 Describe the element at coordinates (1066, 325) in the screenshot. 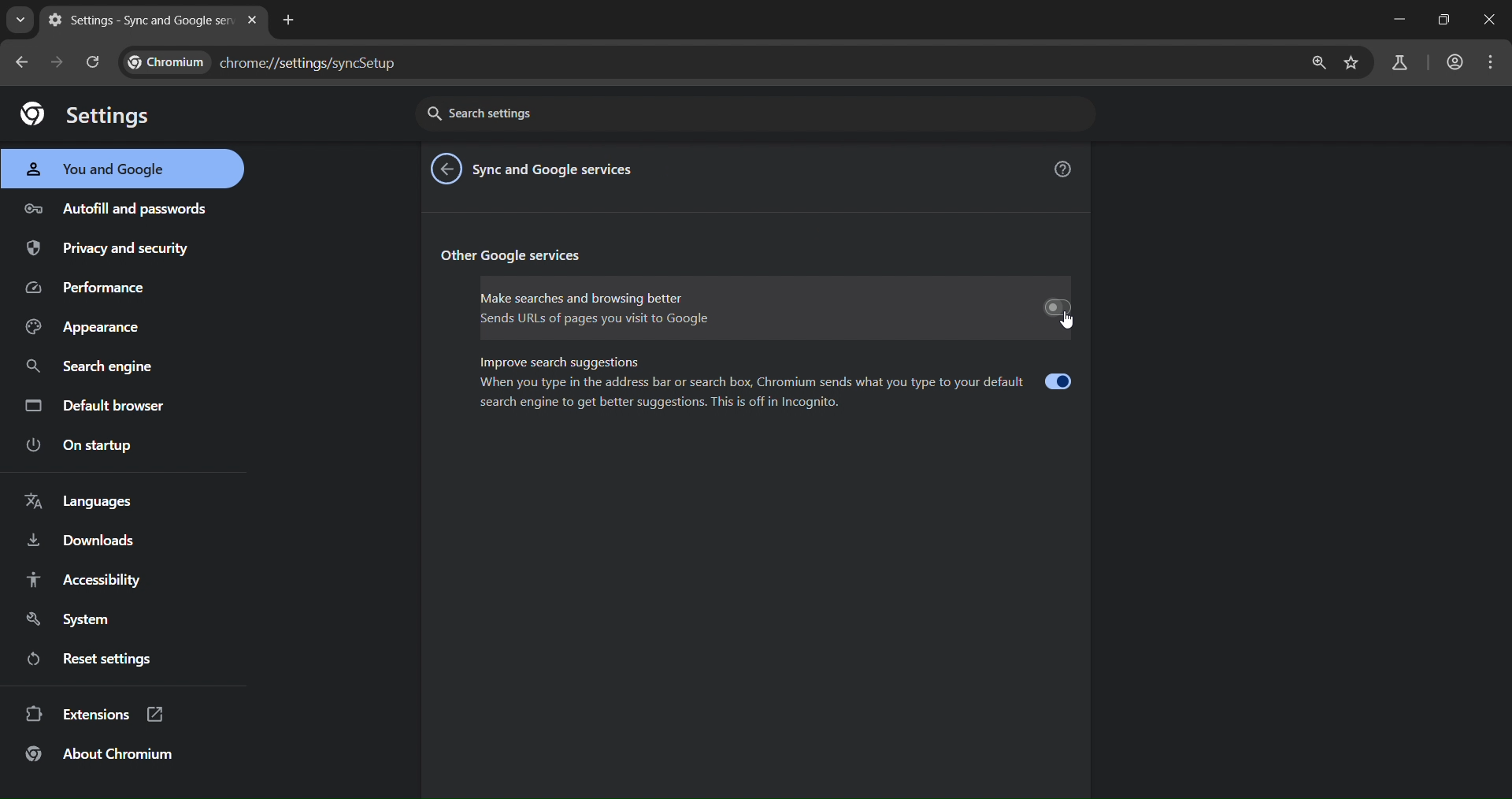

I see `cursor` at that location.